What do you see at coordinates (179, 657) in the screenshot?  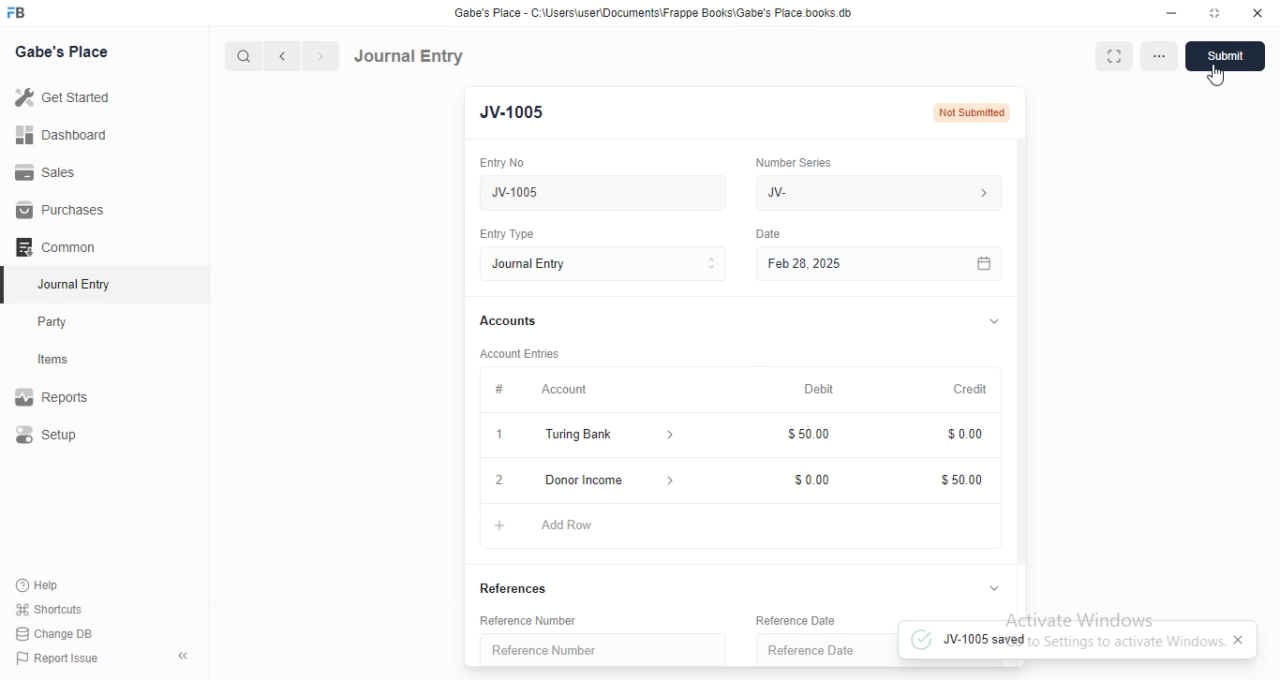 I see `hide` at bounding box center [179, 657].